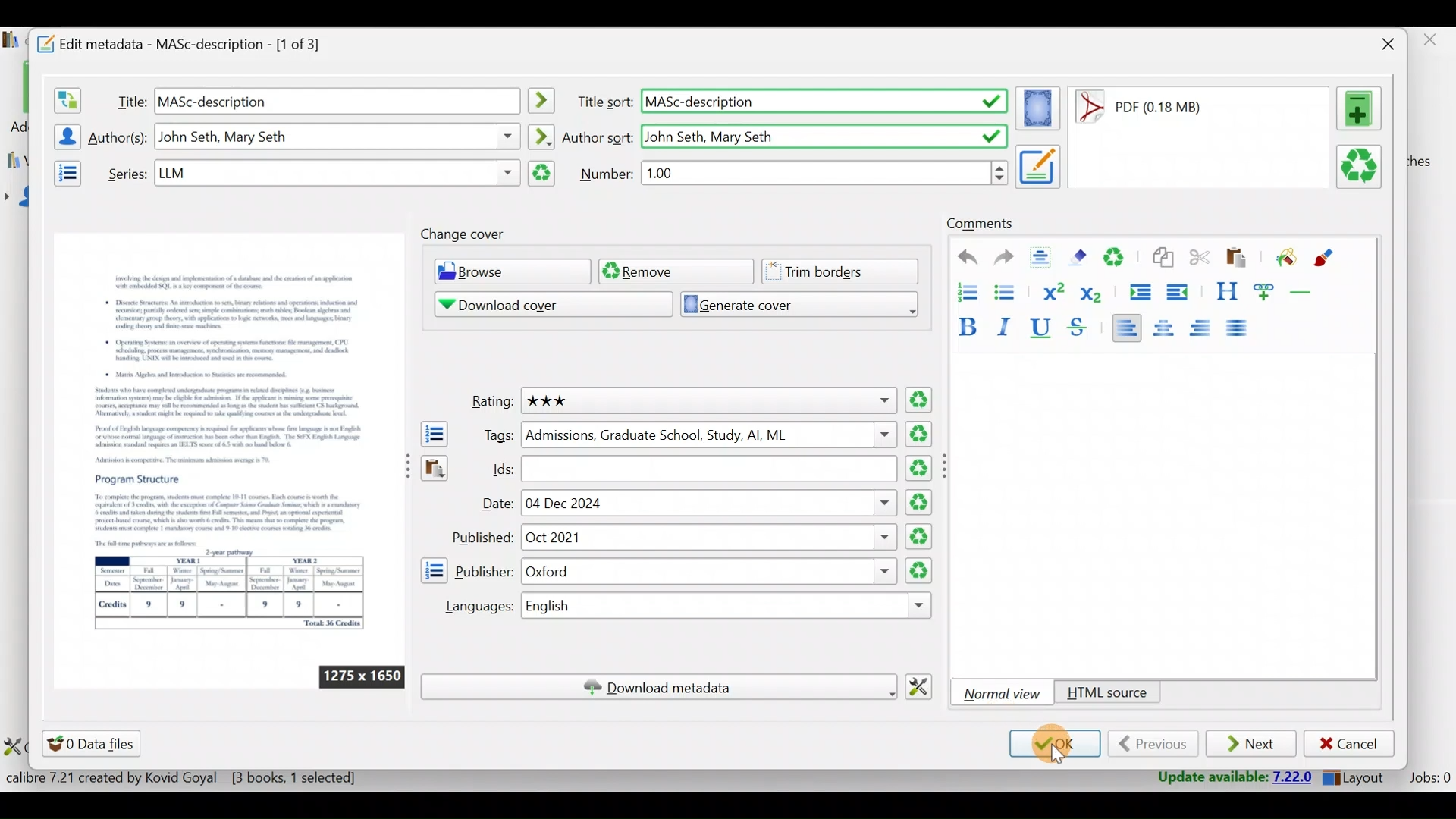 Image resolution: width=1456 pixels, height=819 pixels. I want to click on Jobs, so click(1428, 780).